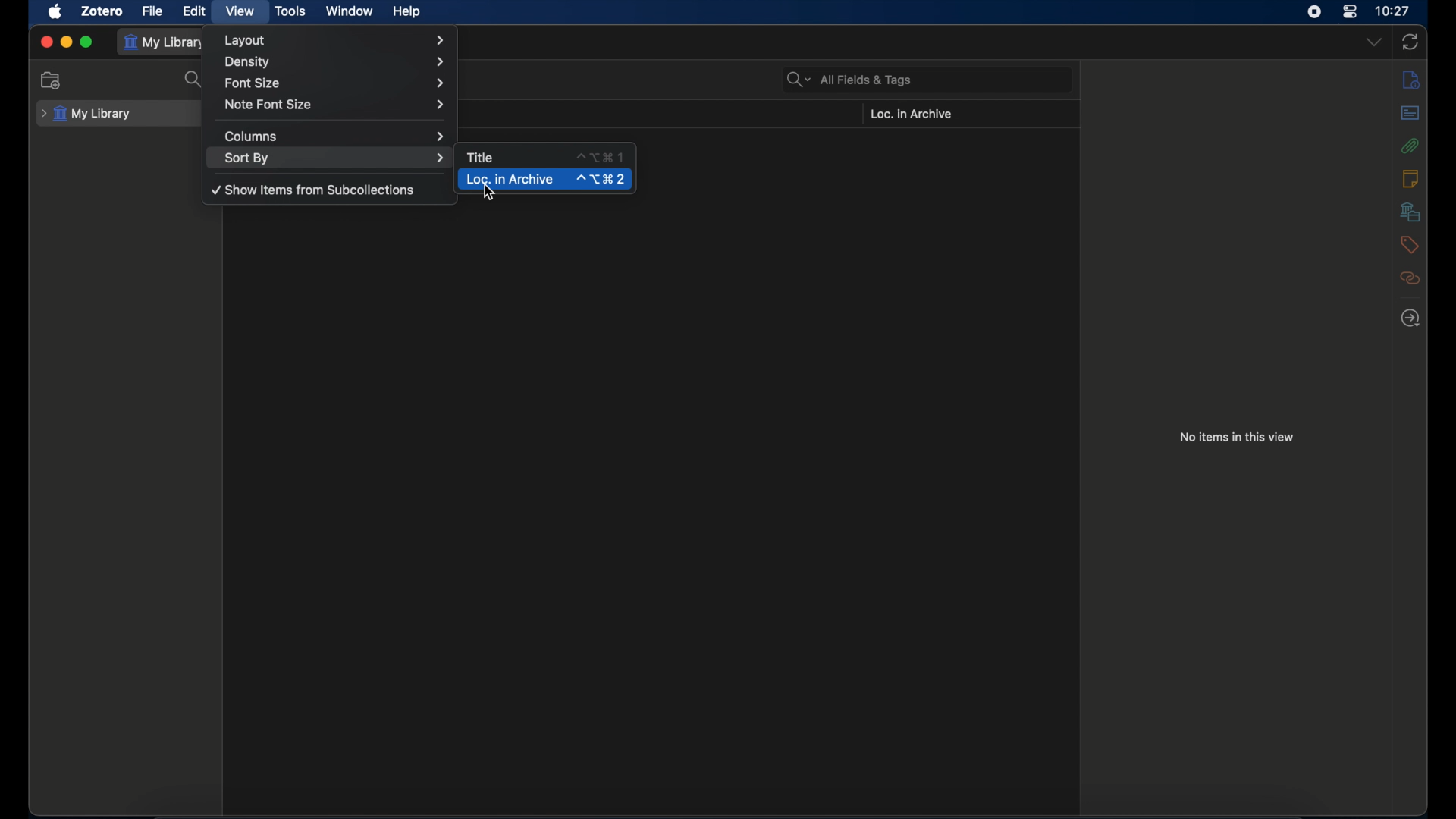  Describe the element at coordinates (1394, 10) in the screenshot. I see `time` at that location.